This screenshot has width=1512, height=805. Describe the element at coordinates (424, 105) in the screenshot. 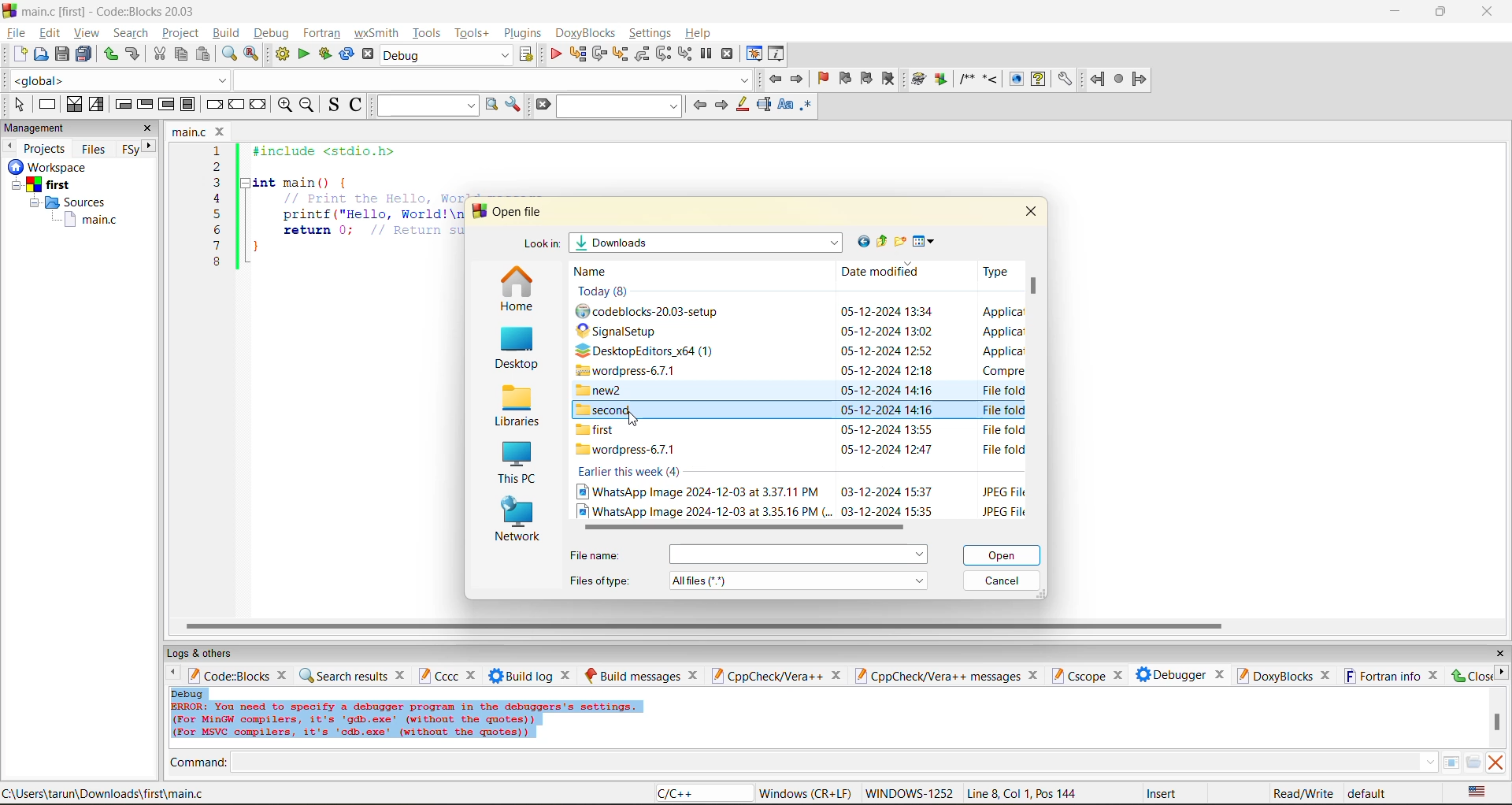

I see `text to search` at that location.